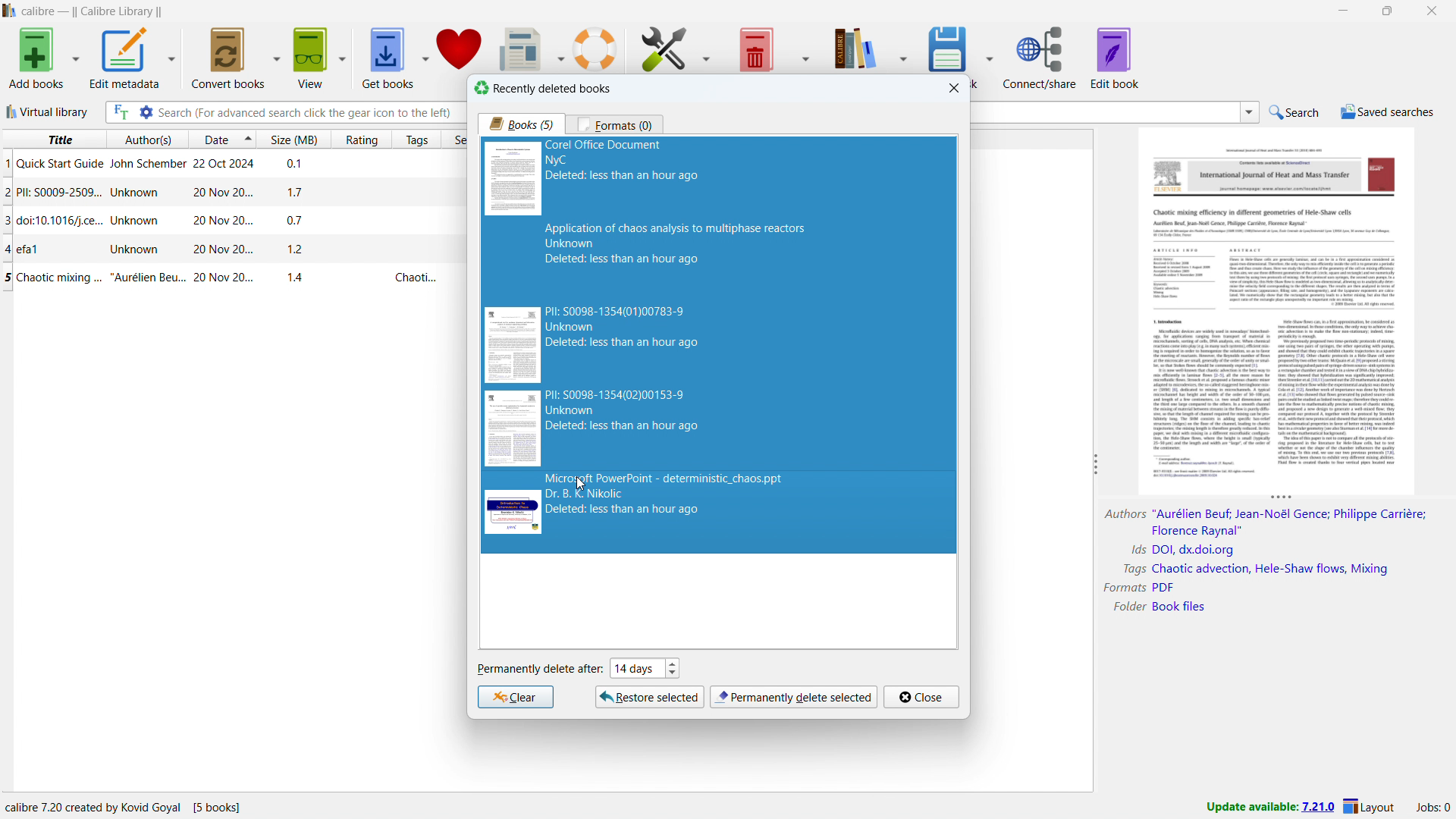  Describe the element at coordinates (519, 47) in the screenshot. I see `fetch news` at that location.